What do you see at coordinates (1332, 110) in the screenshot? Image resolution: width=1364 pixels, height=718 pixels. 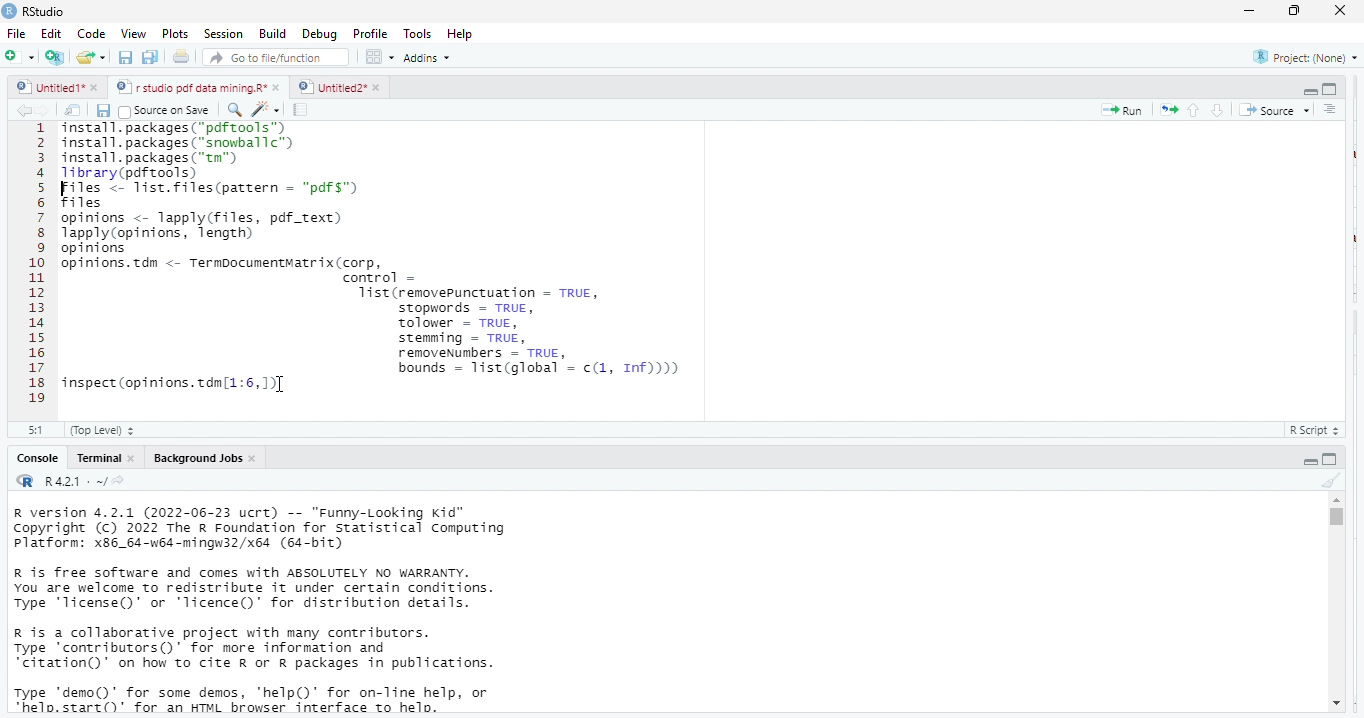 I see `show document outline` at bounding box center [1332, 110].